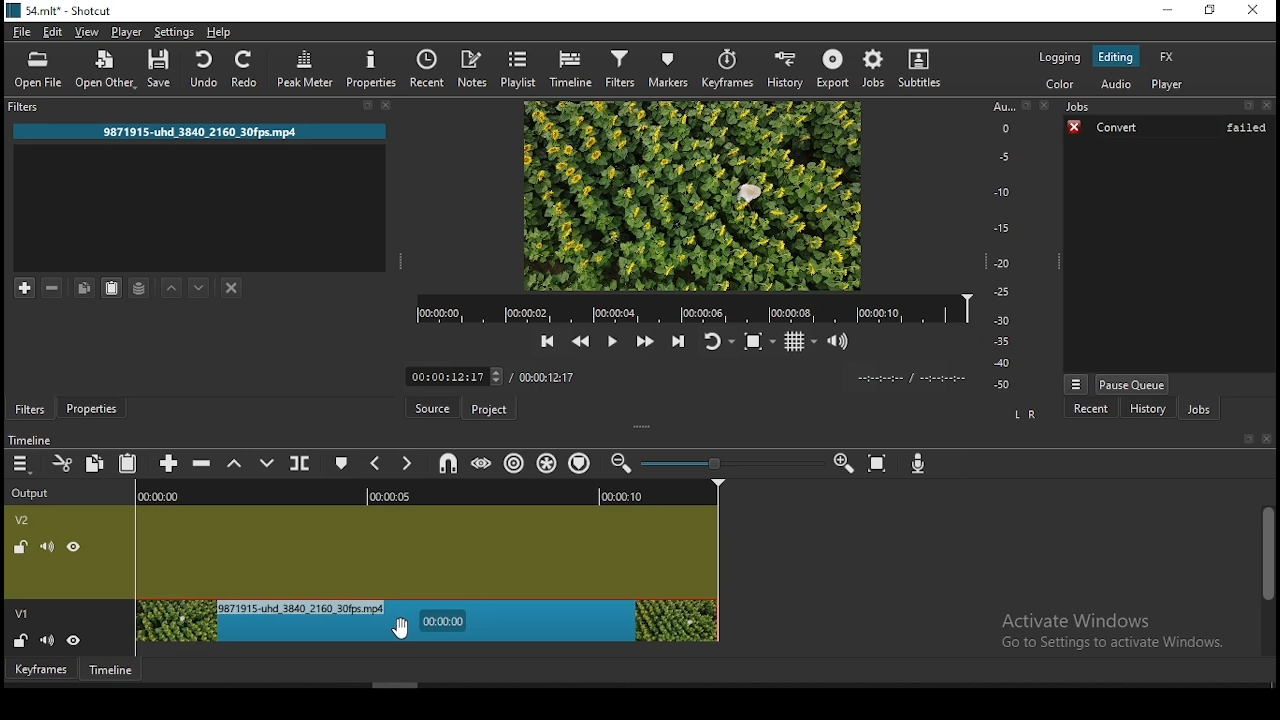 This screenshot has width=1280, height=720. What do you see at coordinates (1146, 407) in the screenshot?
I see `history` at bounding box center [1146, 407].